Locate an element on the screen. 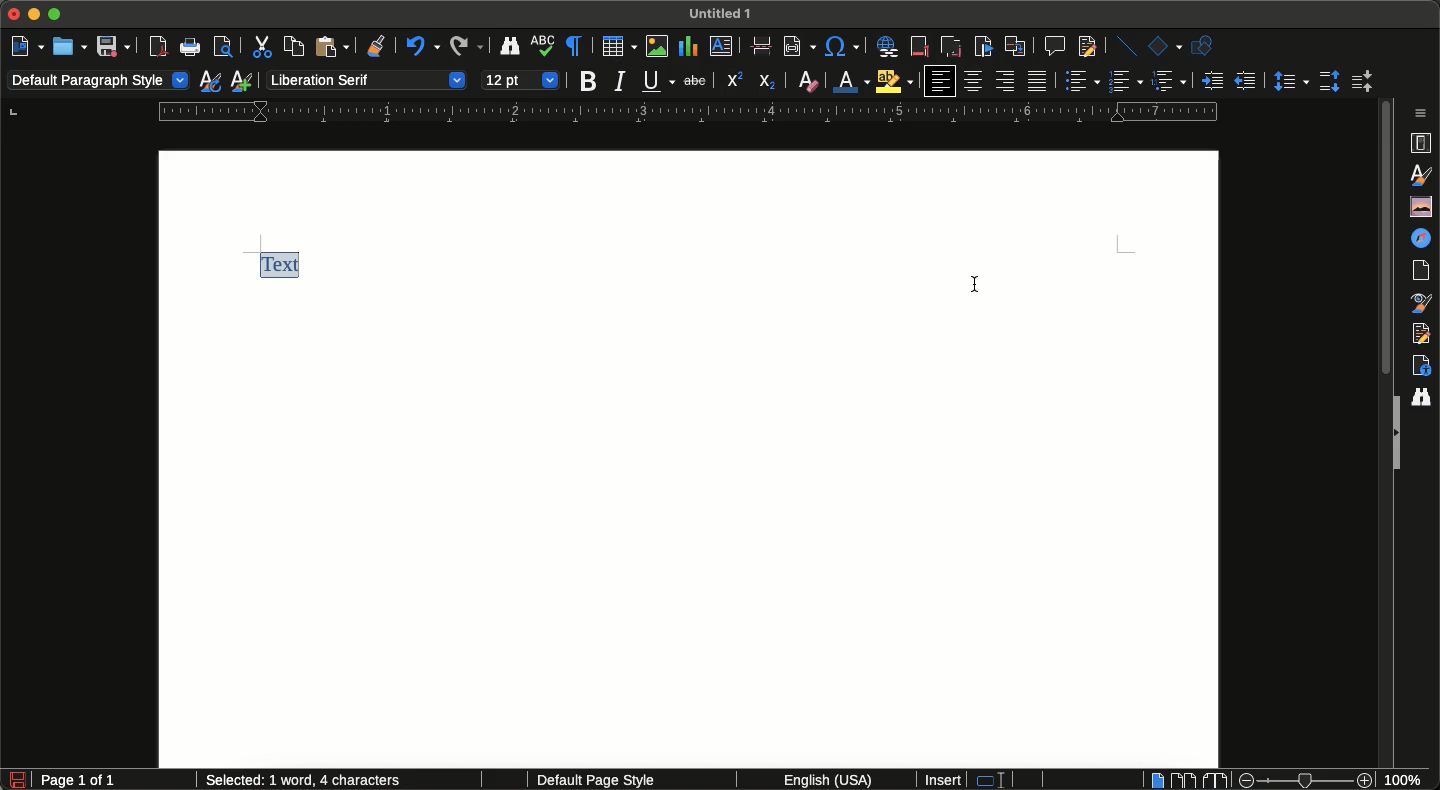 This screenshot has height=790, width=1440. Update selected style is located at coordinates (211, 81).